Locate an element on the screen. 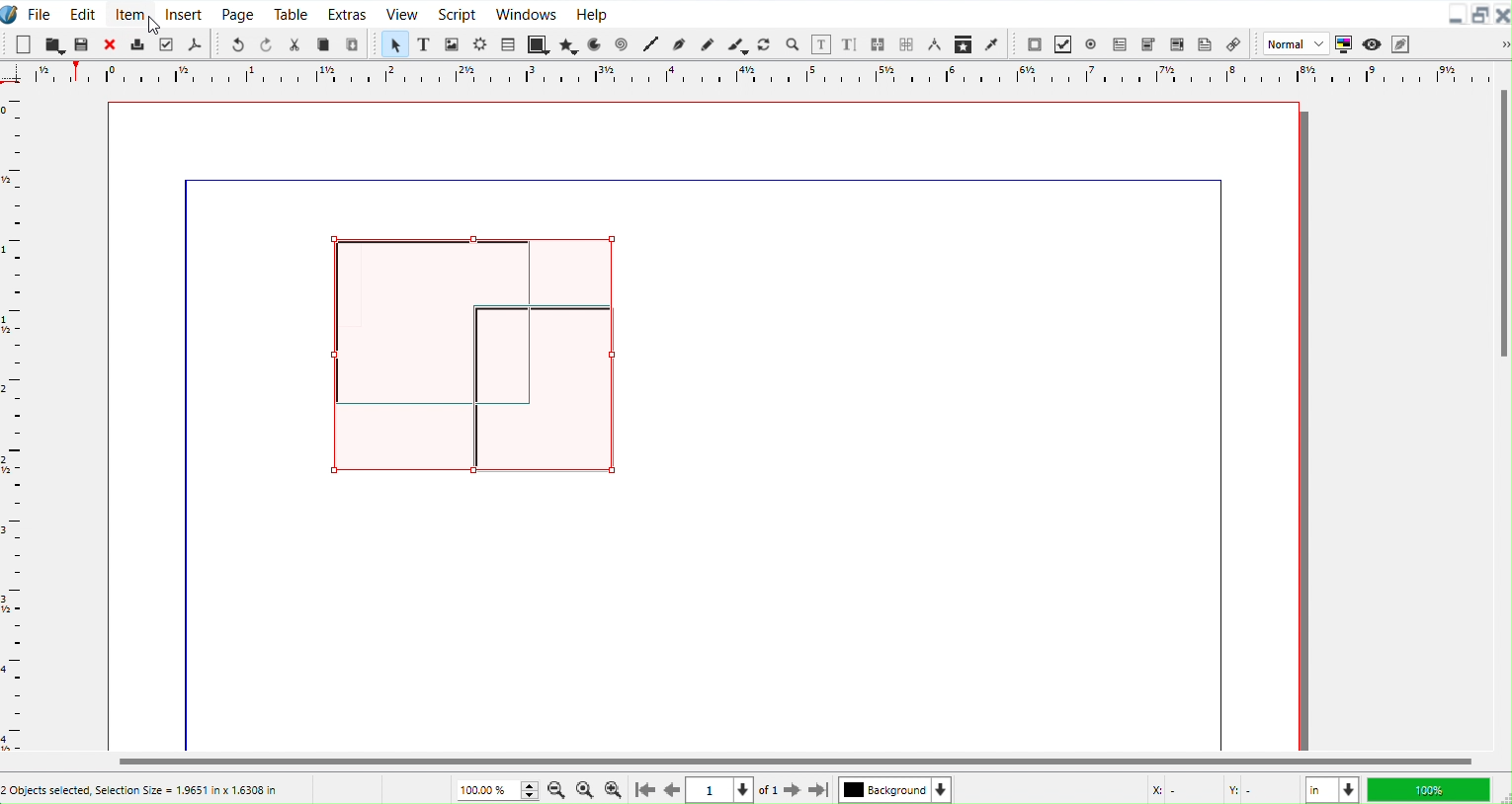  Preview mode is located at coordinates (1371, 42).